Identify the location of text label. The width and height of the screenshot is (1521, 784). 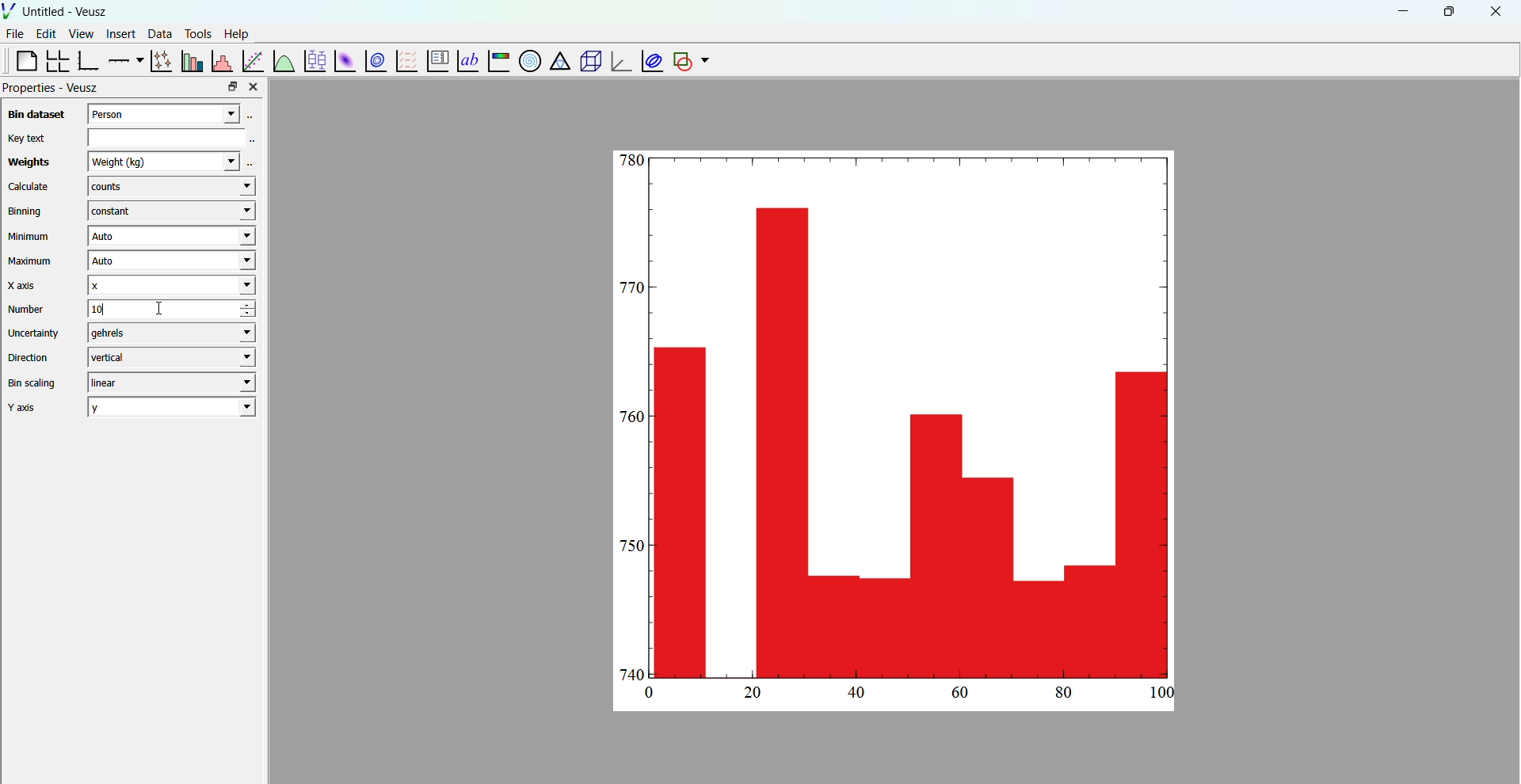
(466, 59).